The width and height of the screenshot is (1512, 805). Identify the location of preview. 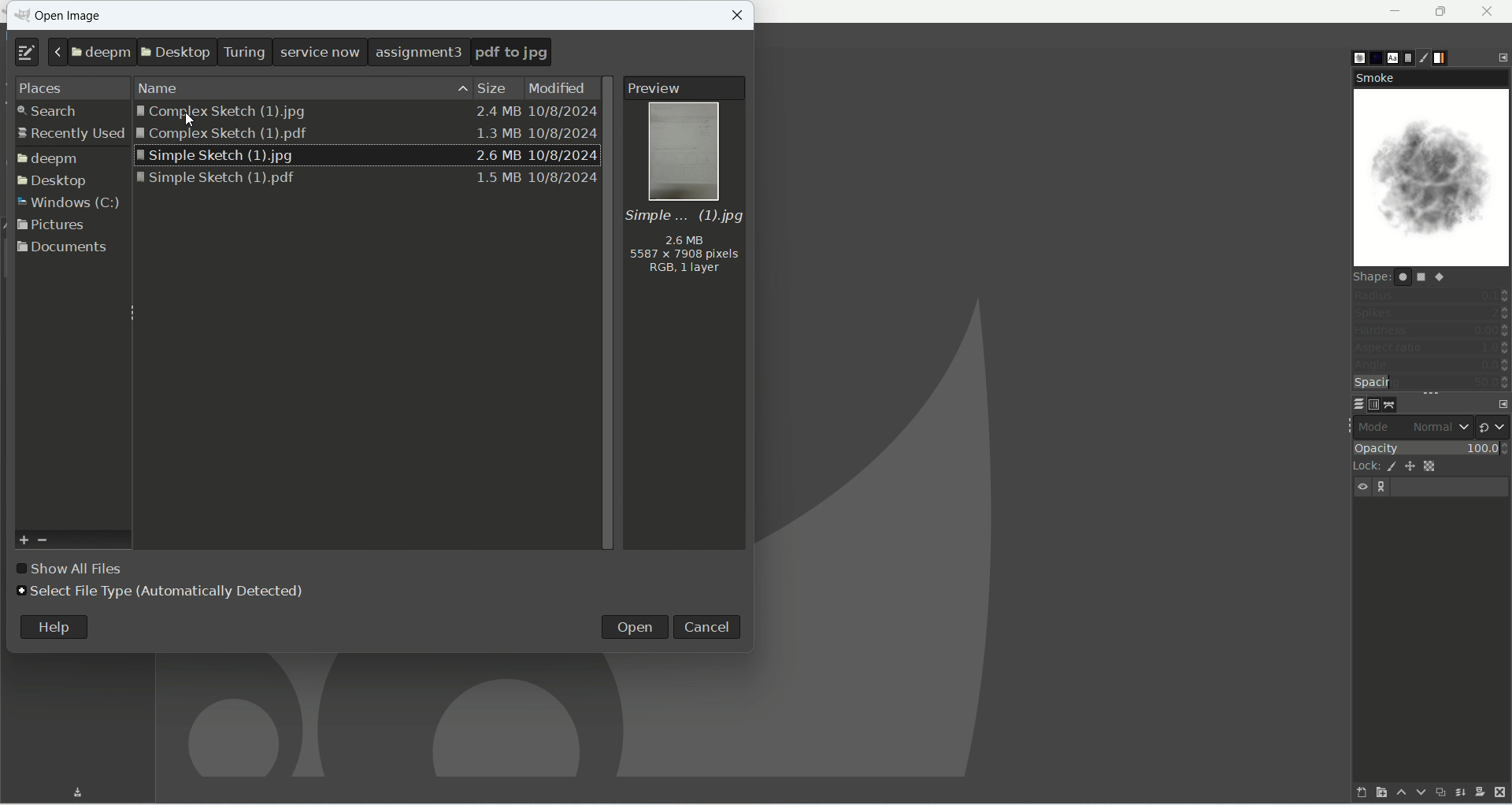
(686, 90).